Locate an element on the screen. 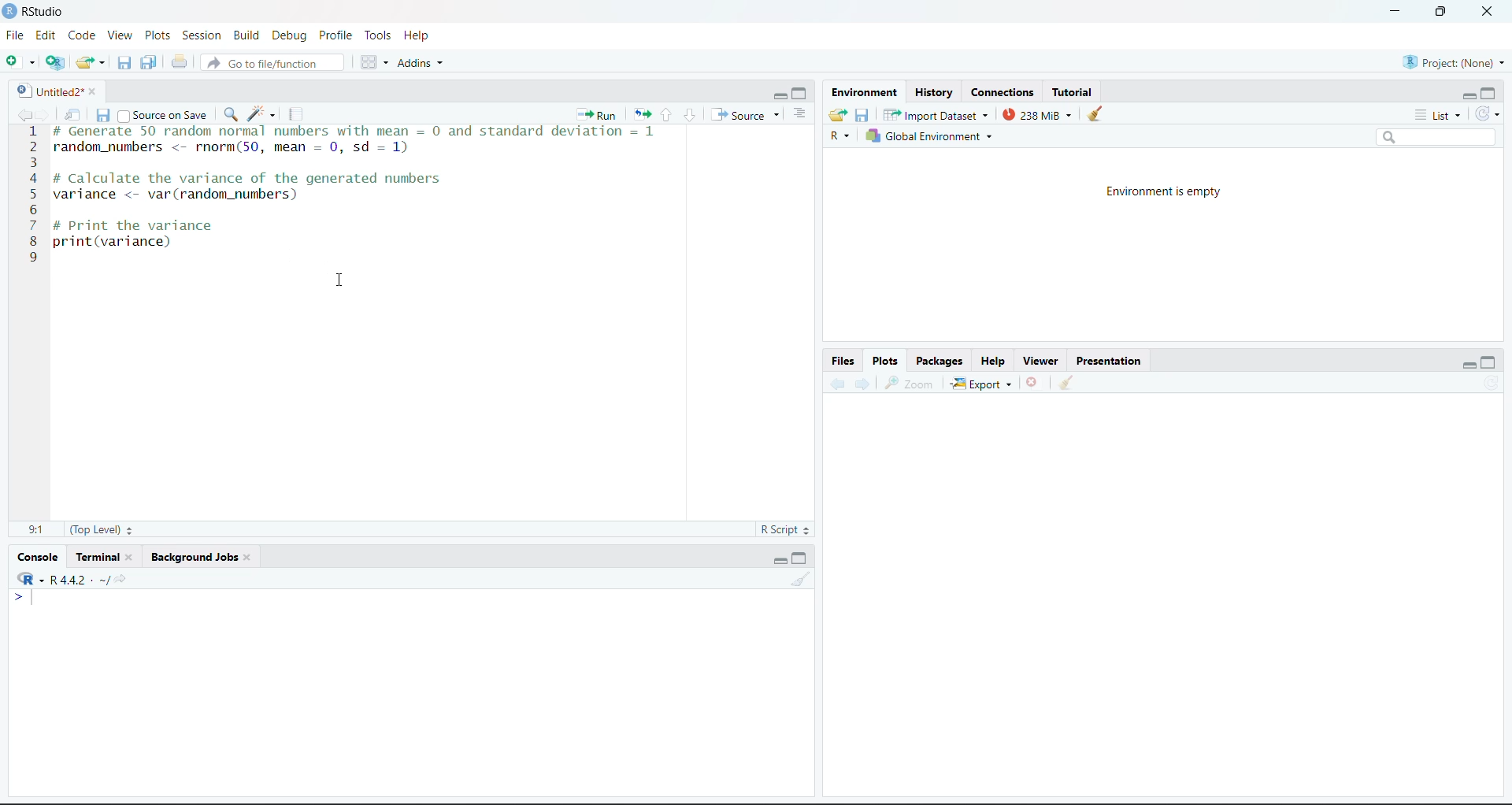 The width and height of the screenshot is (1512, 805). Top Level is located at coordinates (102, 529).